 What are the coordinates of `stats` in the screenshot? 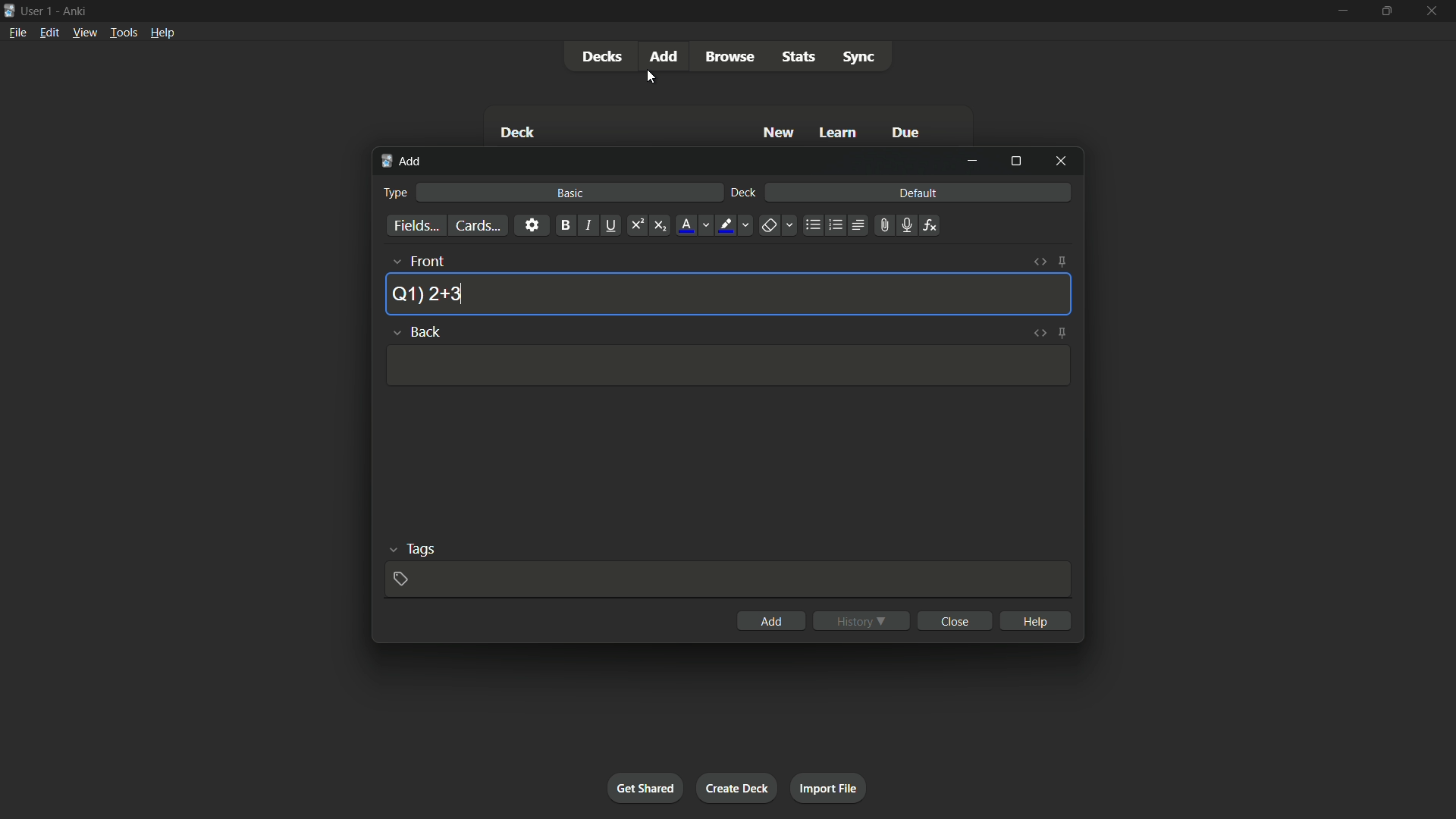 It's located at (800, 57).